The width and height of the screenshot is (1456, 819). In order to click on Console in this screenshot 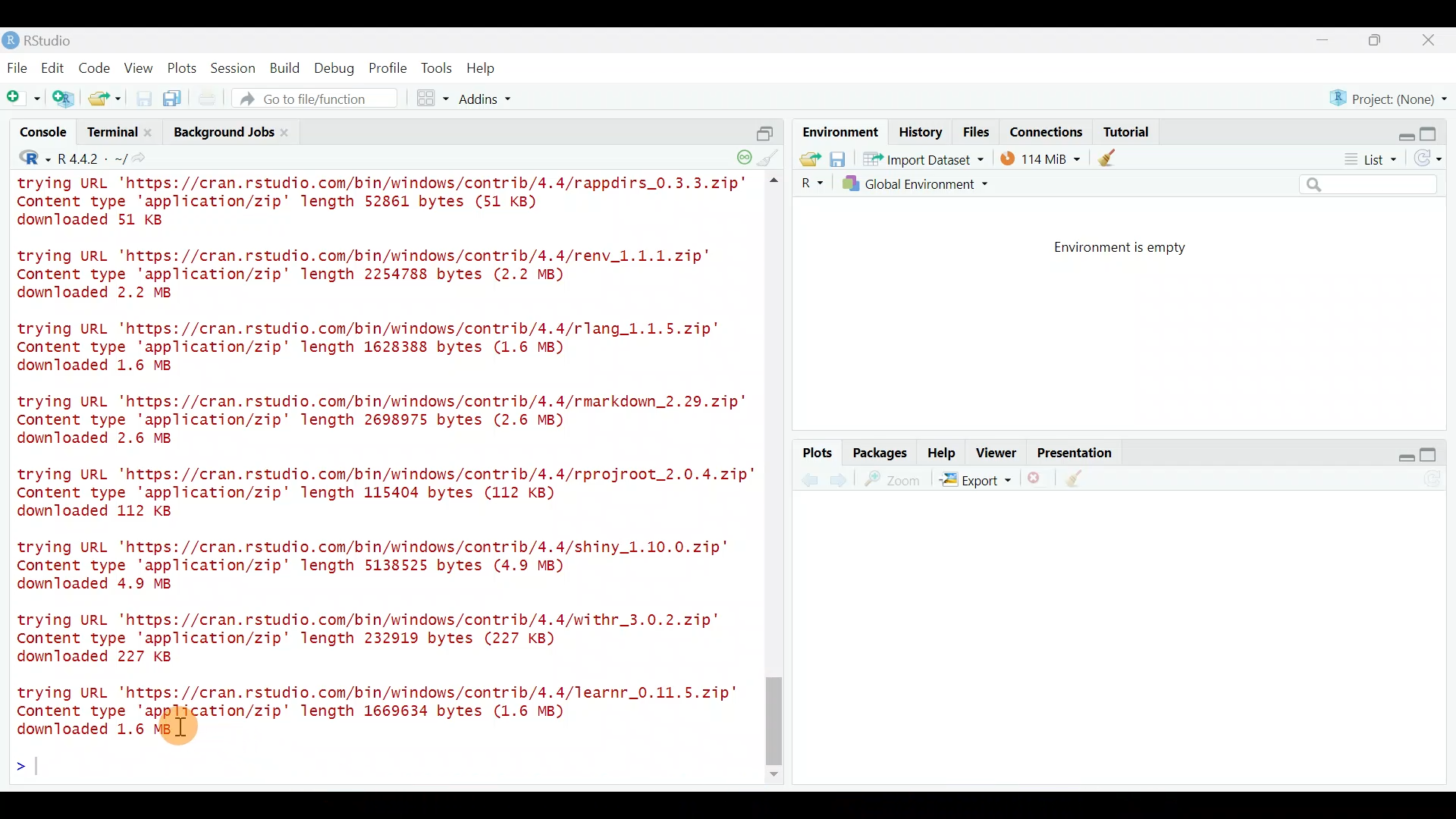, I will do `click(45, 134)`.